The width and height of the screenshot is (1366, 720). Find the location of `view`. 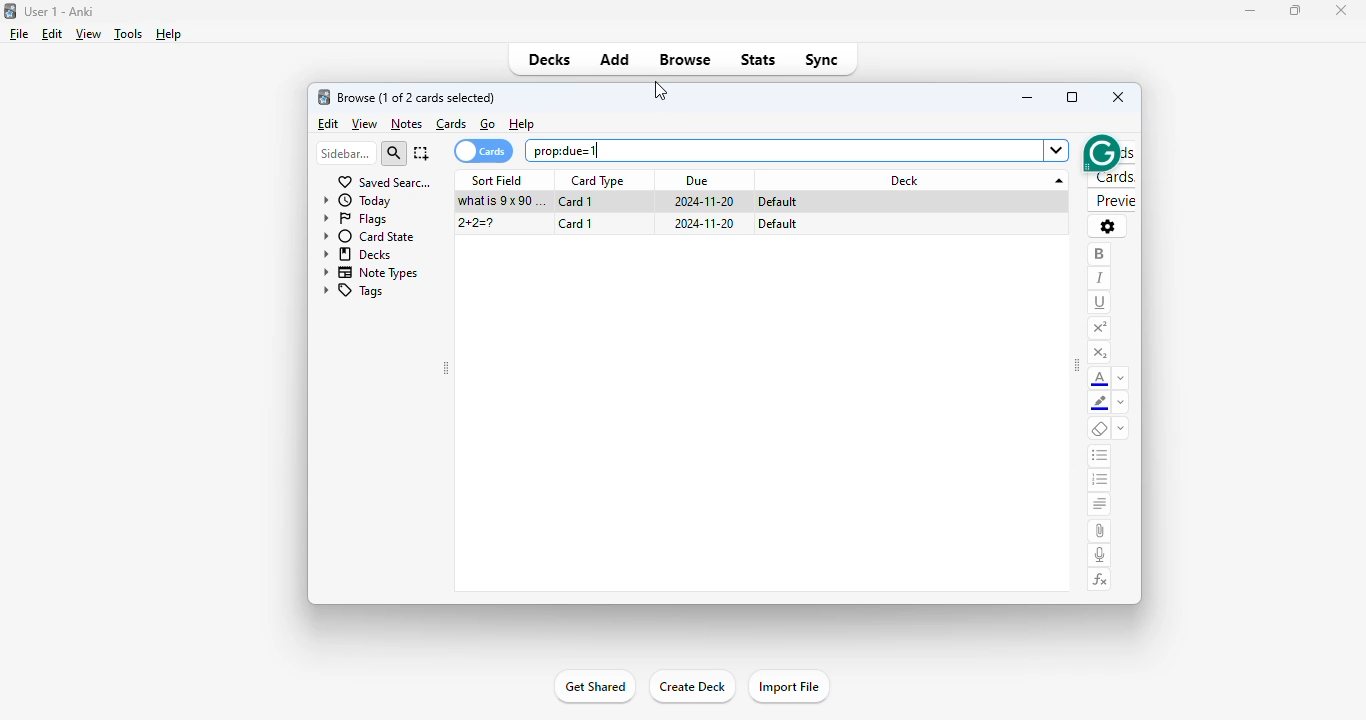

view is located at coordinates (89, 34).